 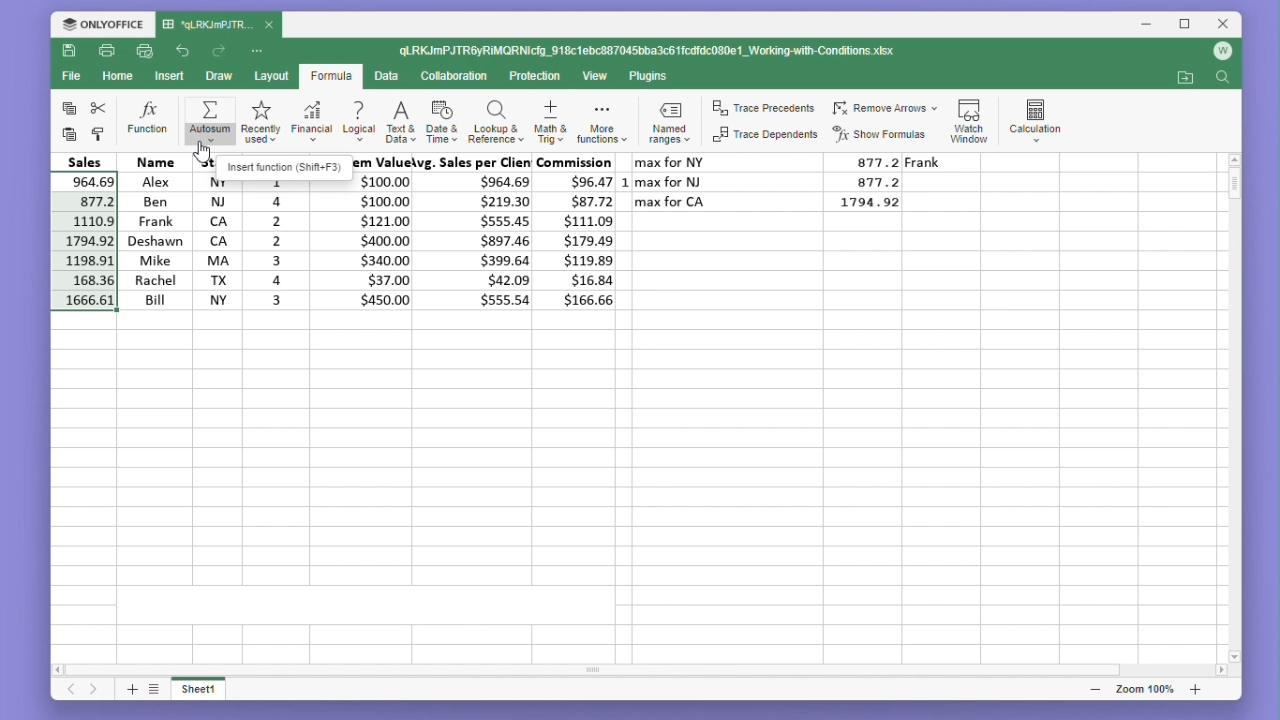 I want to click on Find, so click(x=1222, y=80).